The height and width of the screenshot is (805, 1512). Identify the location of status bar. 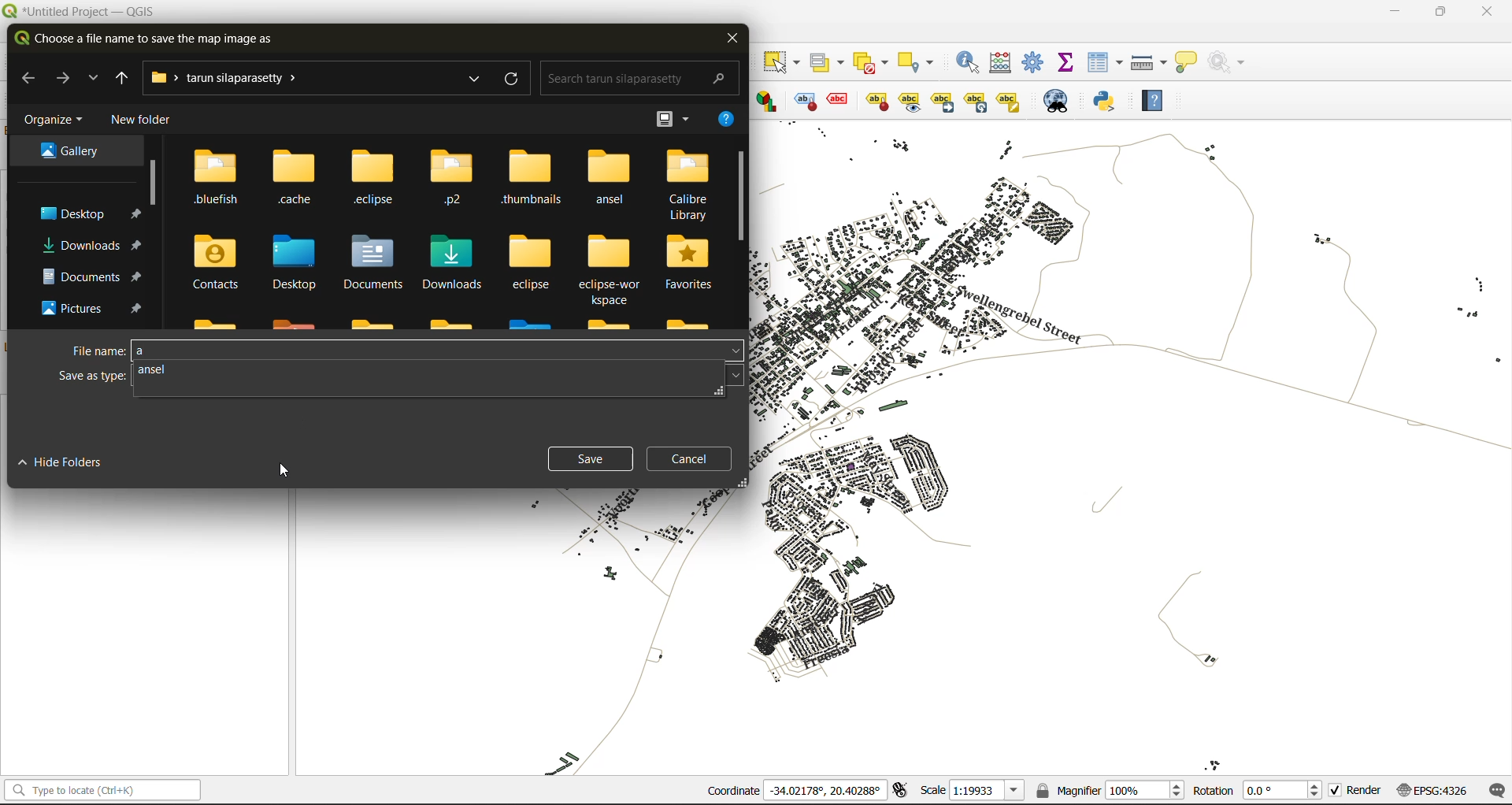
(100, 791).